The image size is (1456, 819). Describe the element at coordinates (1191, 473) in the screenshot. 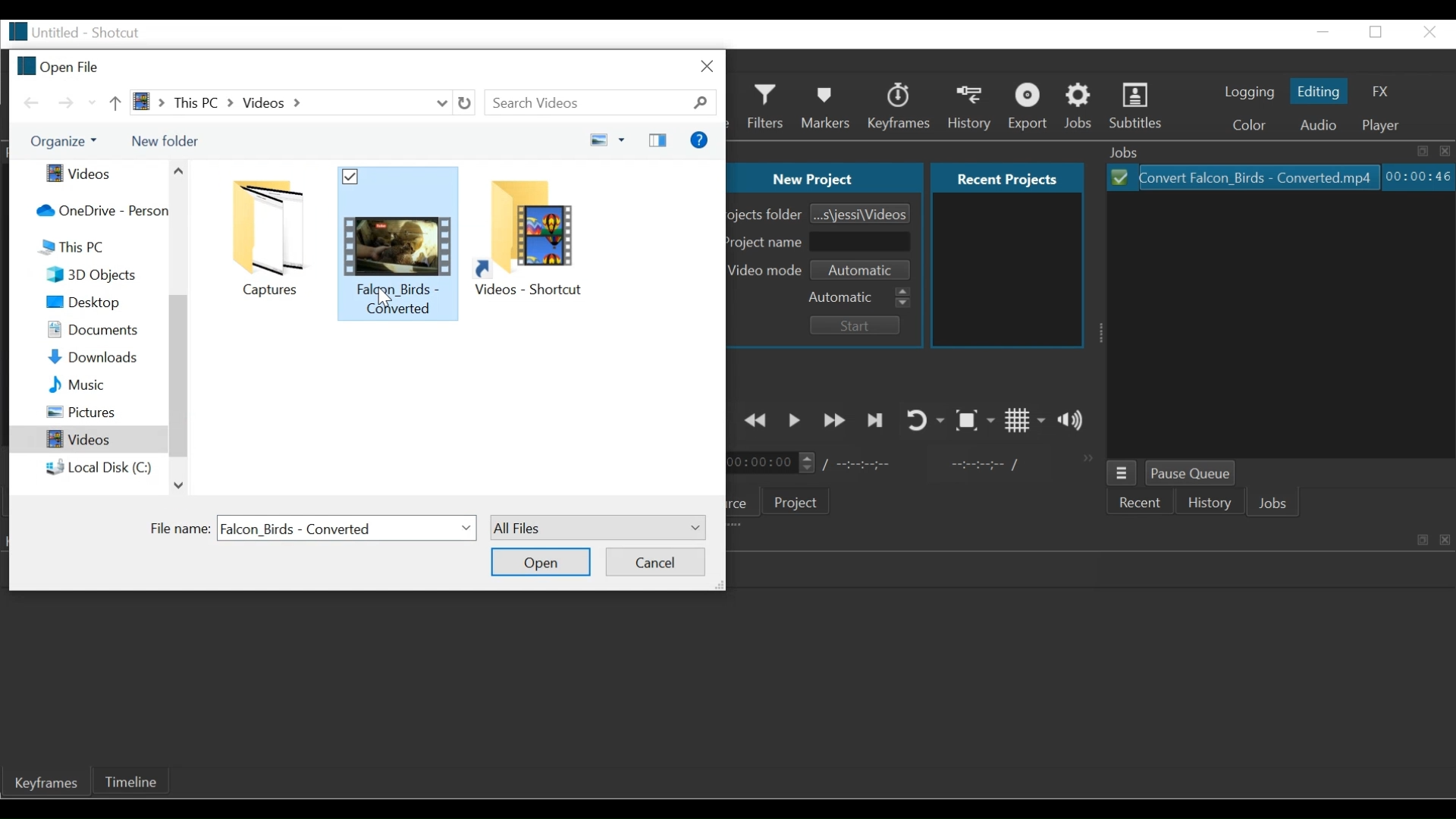

I see `Pause Queue` at that location.